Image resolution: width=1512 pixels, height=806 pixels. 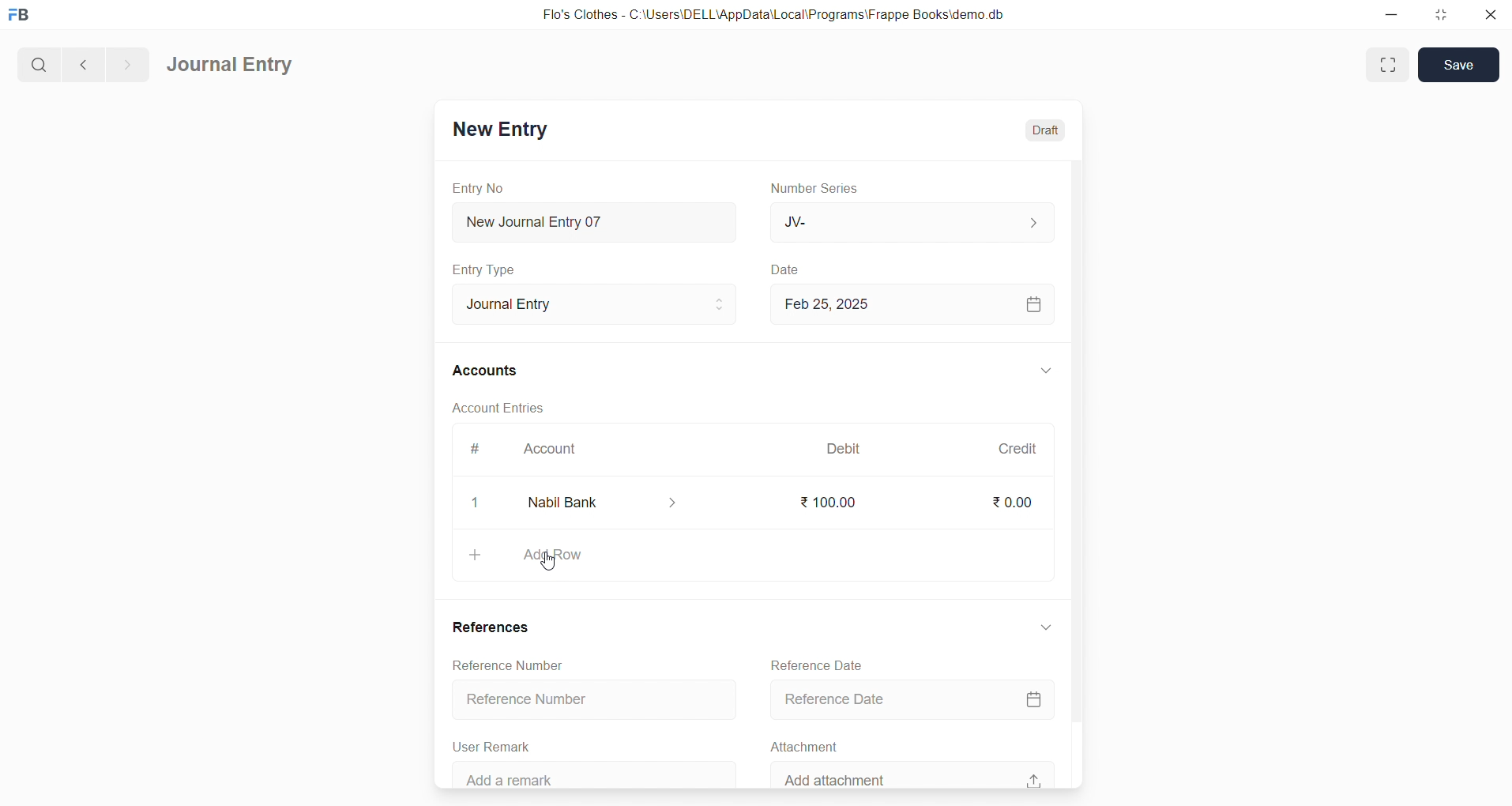 What do you see at coordinates (596, 218) in the screenshot?
I see `New Journal Entry 07` at bounding box center [596, 218].